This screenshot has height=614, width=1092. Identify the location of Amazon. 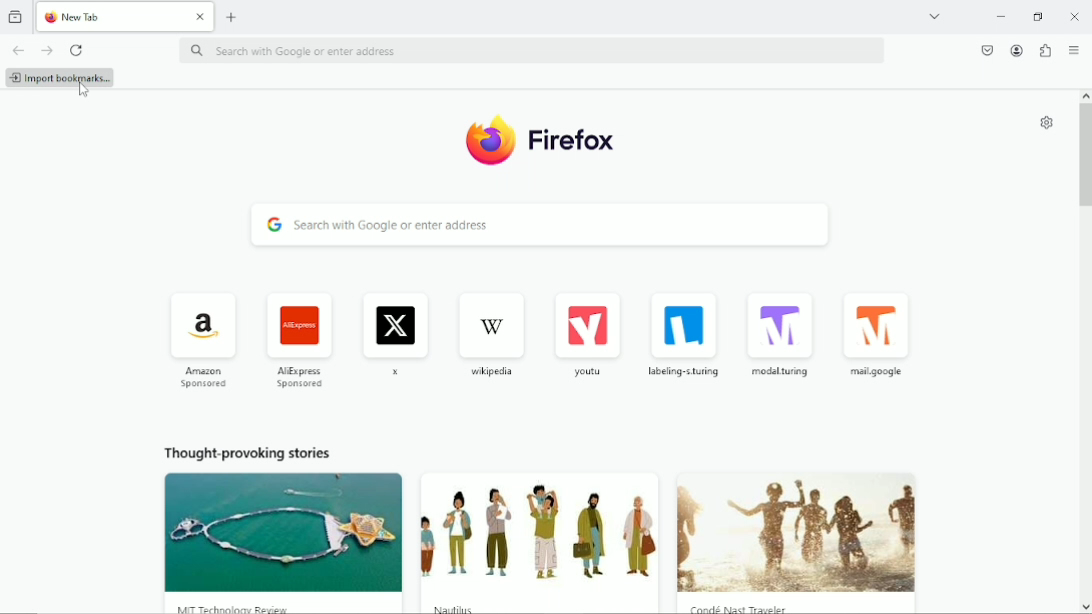
(203, 338).